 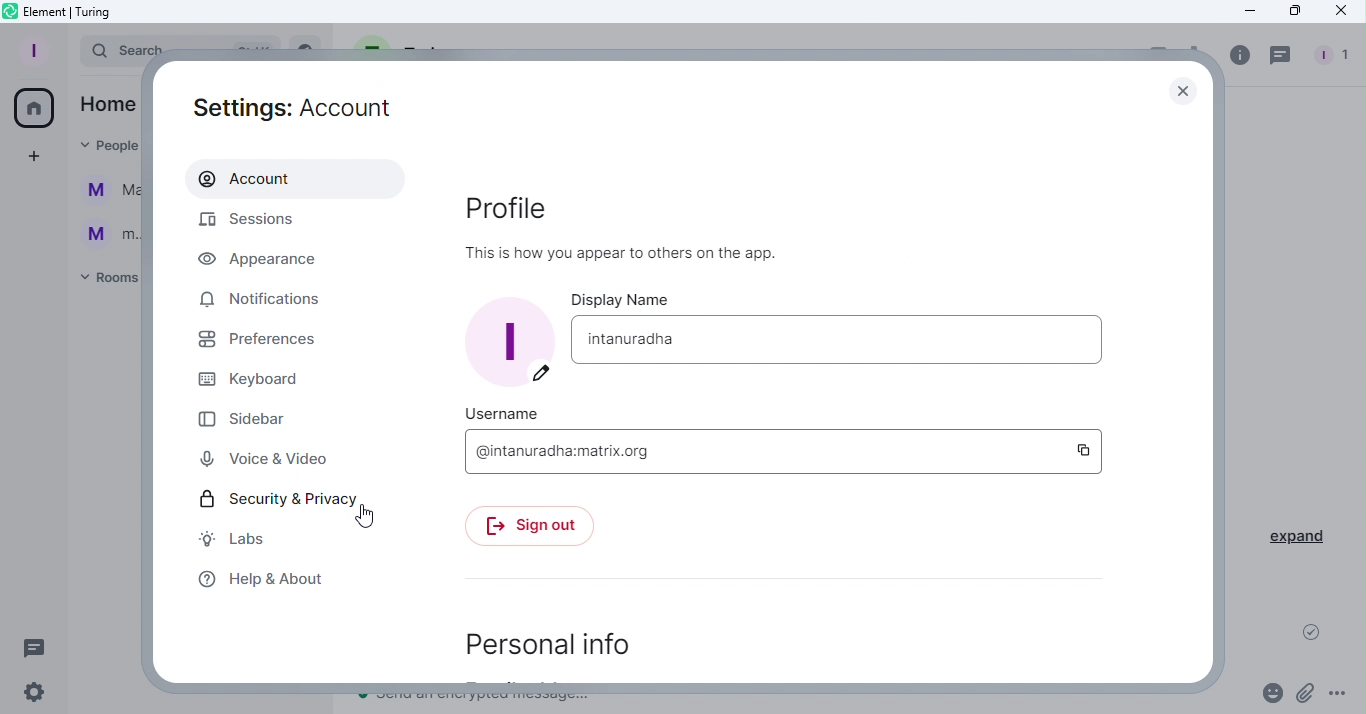 I want to click on Threads, so click(x=38, y=647).